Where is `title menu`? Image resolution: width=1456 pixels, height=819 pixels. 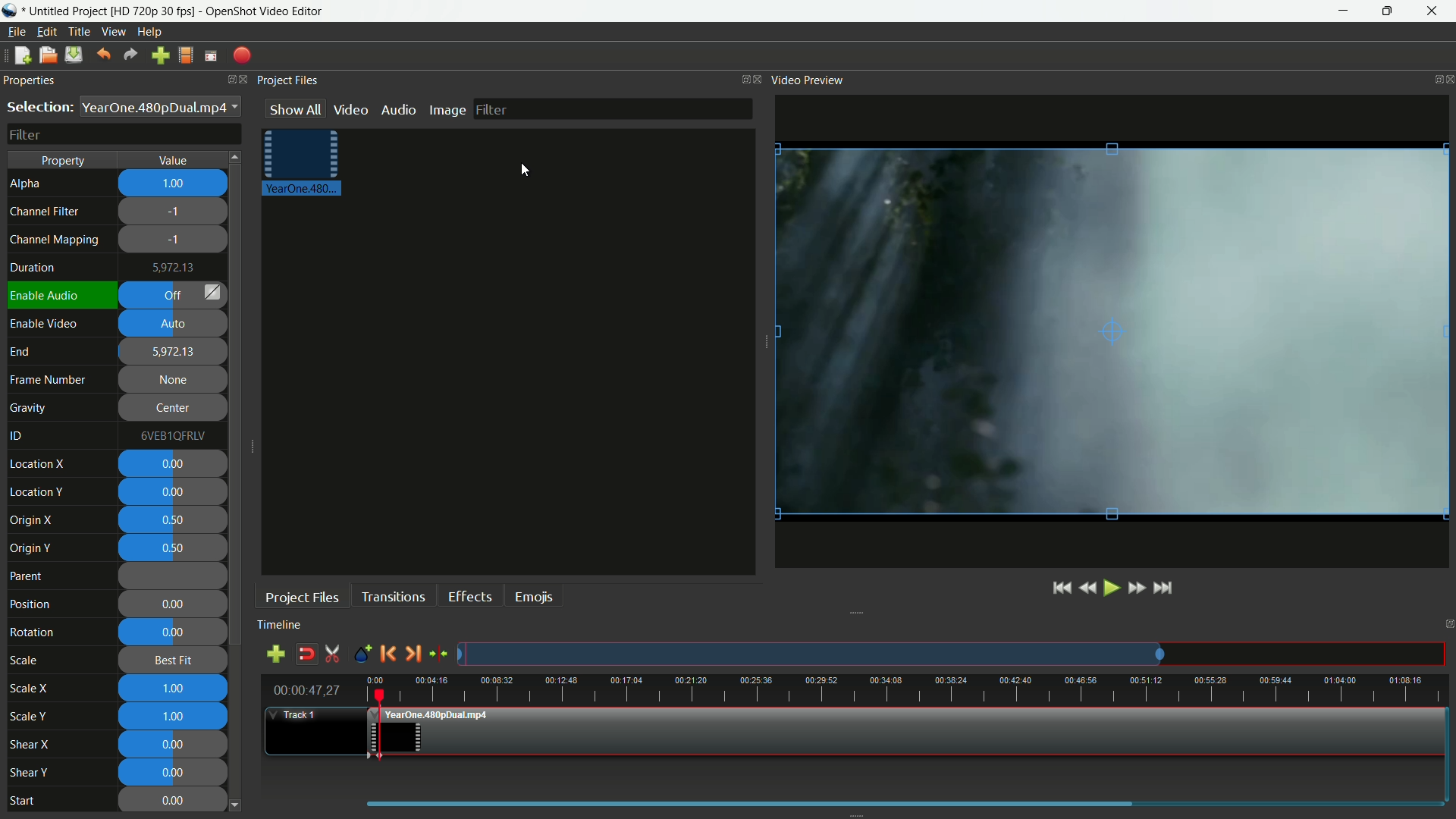 title menu is located at coordinates (80, 32).